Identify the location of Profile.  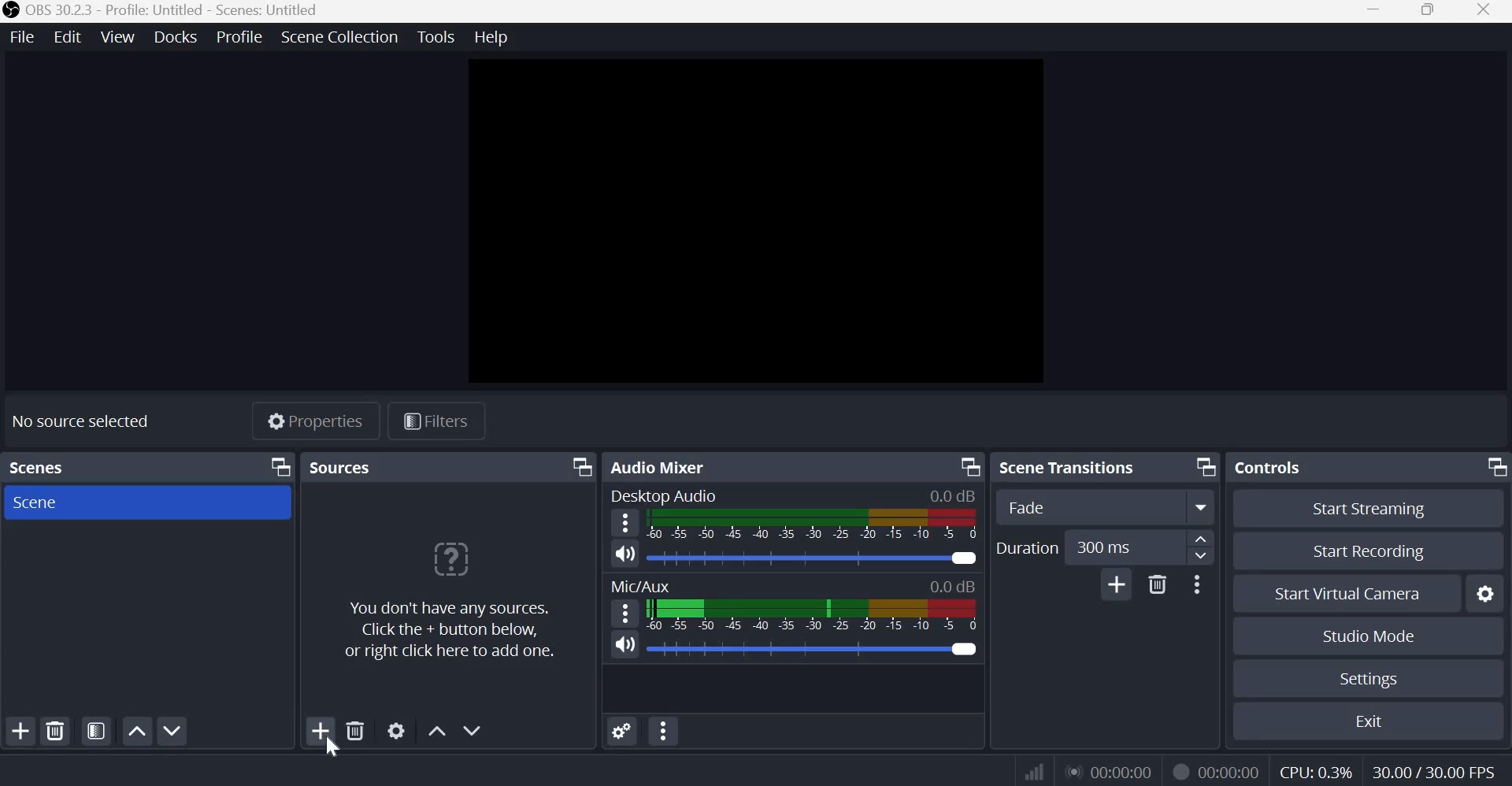
(238, 36).